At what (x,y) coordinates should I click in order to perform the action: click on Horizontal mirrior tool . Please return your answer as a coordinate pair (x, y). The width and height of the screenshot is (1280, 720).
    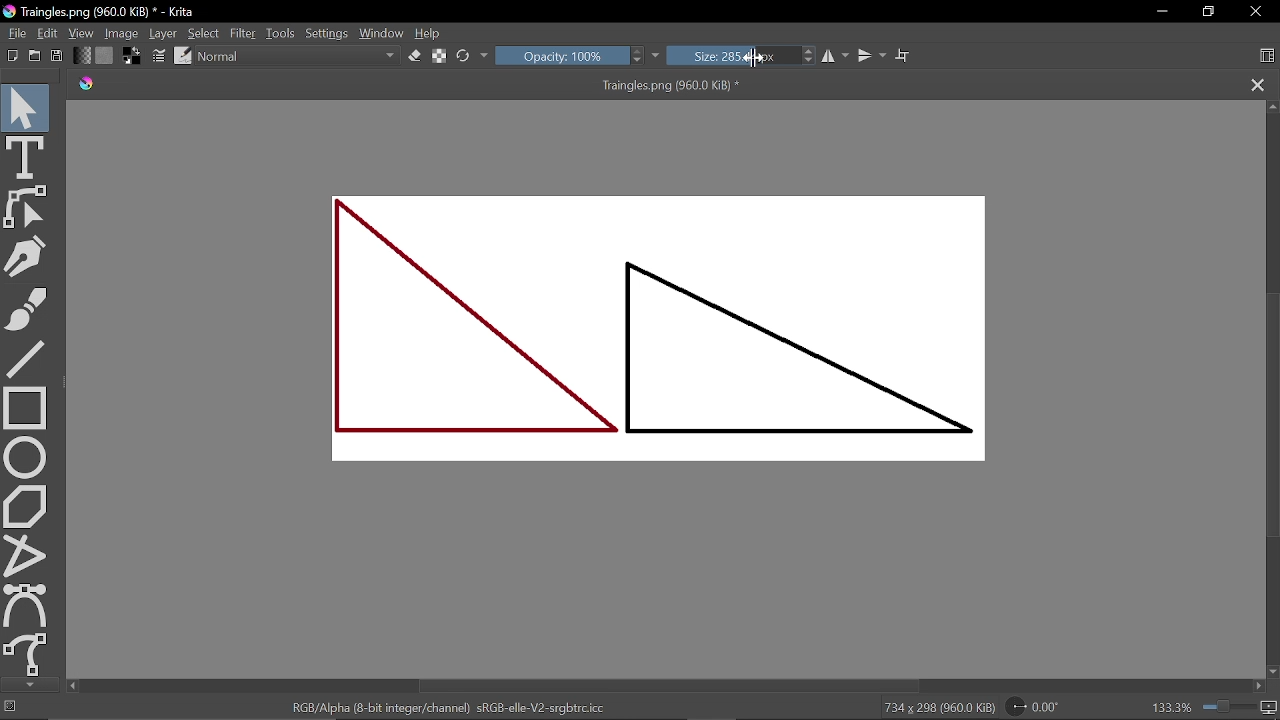
    Looking at the image, I should click on (837, 56).